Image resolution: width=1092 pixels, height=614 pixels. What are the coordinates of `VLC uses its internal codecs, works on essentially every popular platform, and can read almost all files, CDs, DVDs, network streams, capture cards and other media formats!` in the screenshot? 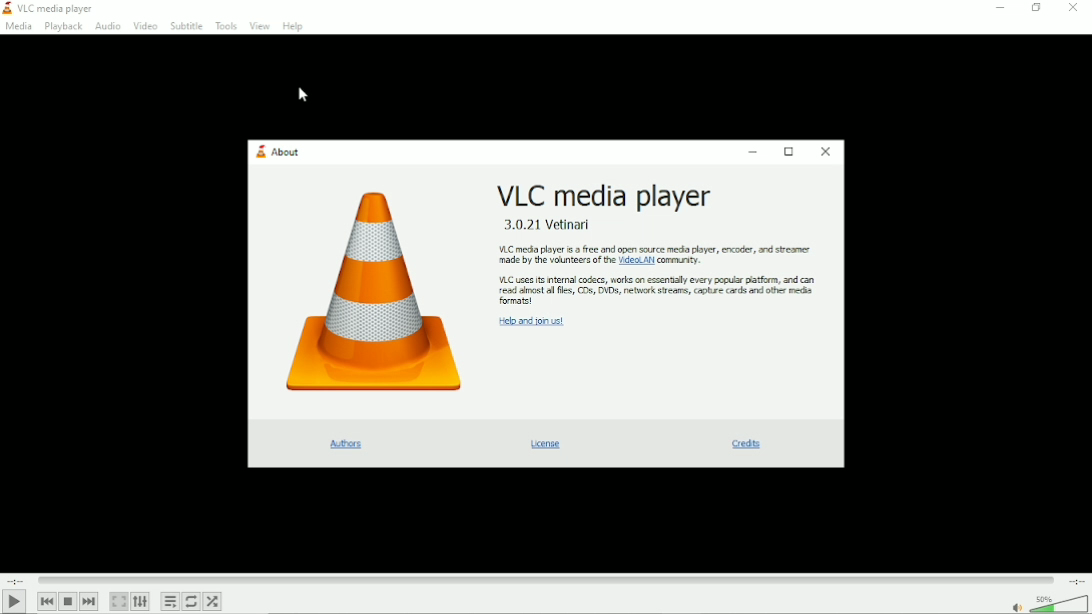 It's located at (659, 291).